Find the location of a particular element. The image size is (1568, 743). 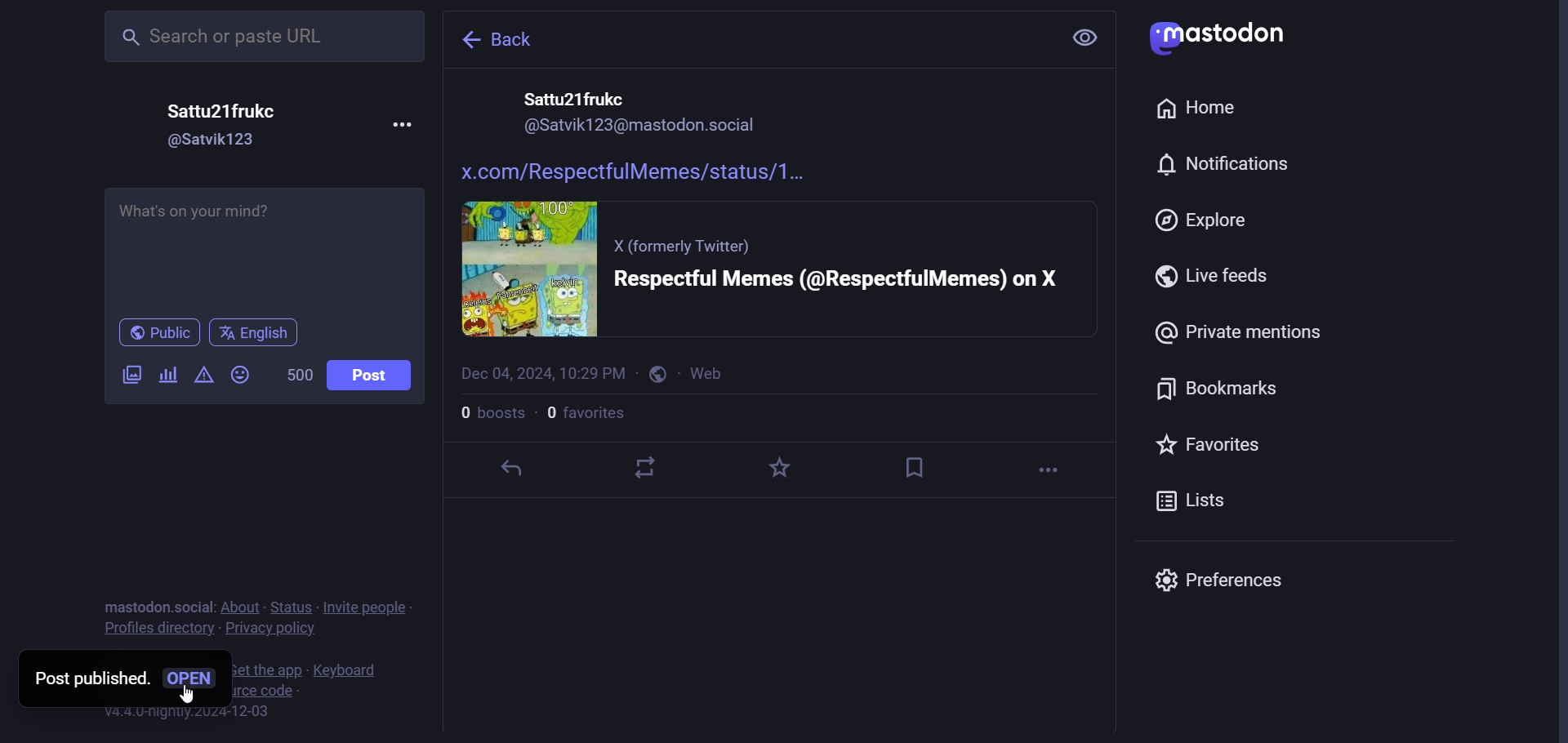

private mentions is located at coordinates (1234, 332).